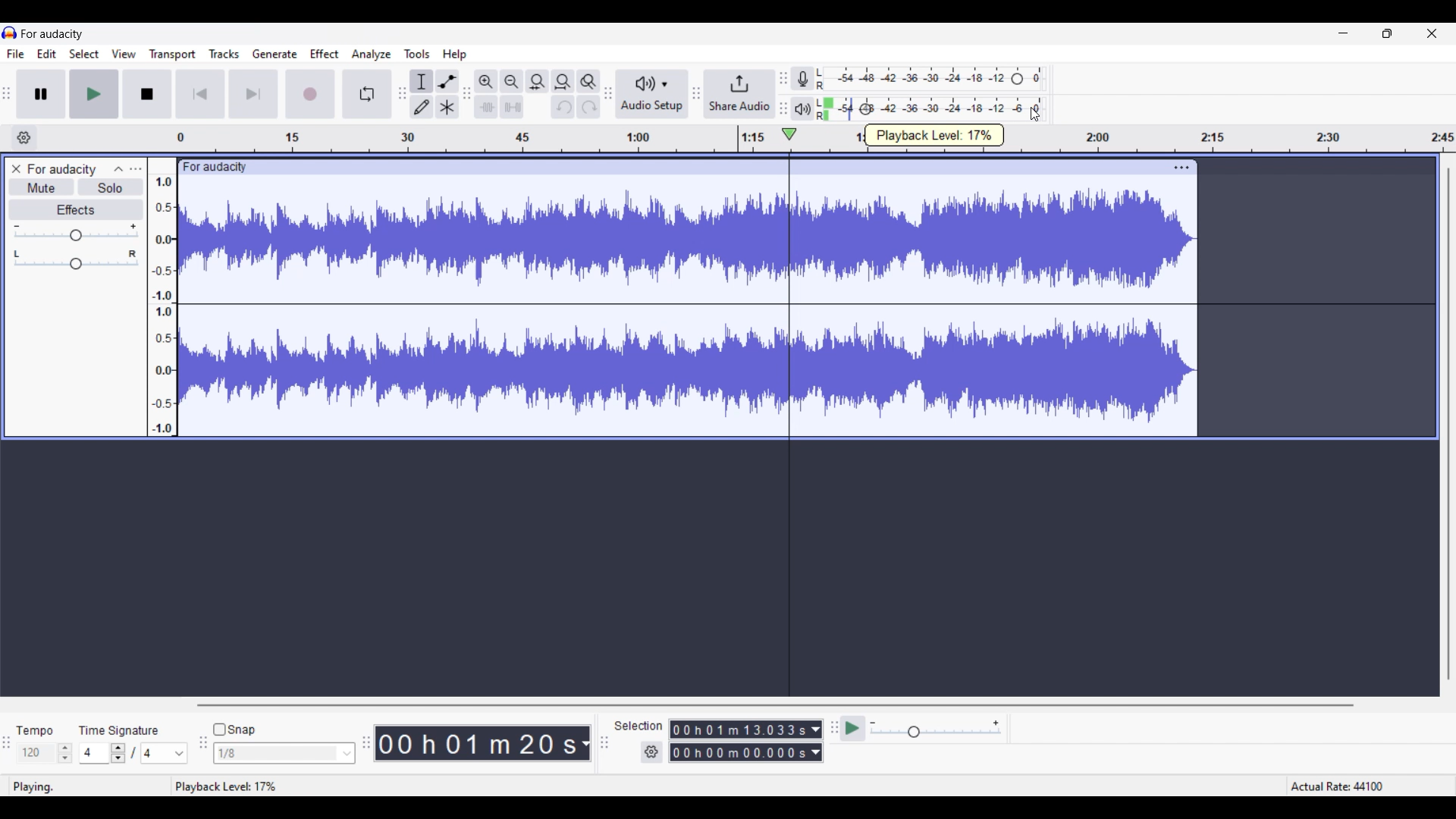  I want to click on Track name, so click(62, 170).